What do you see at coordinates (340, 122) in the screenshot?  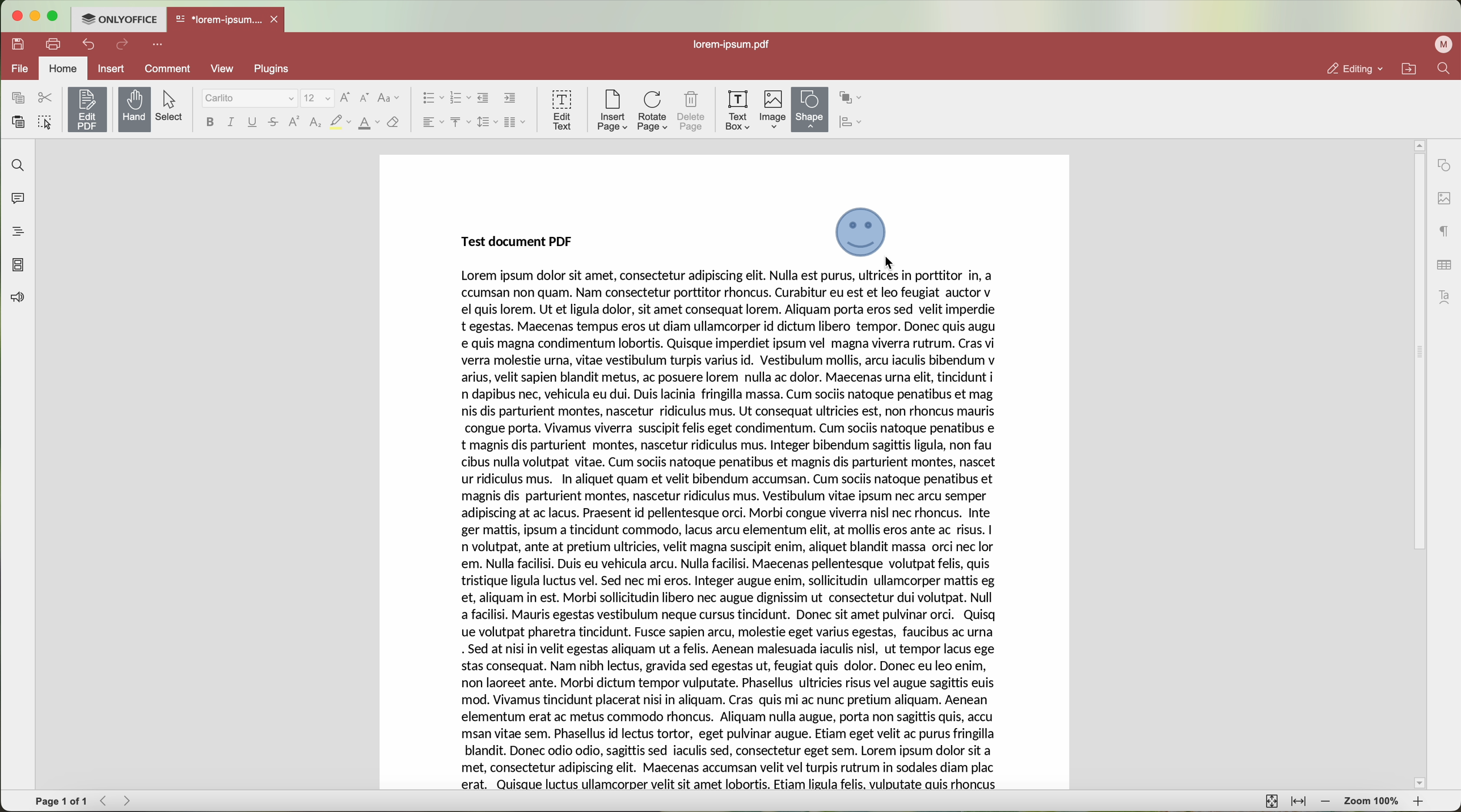 I see `strikeout` at bounding box center [340, 122].